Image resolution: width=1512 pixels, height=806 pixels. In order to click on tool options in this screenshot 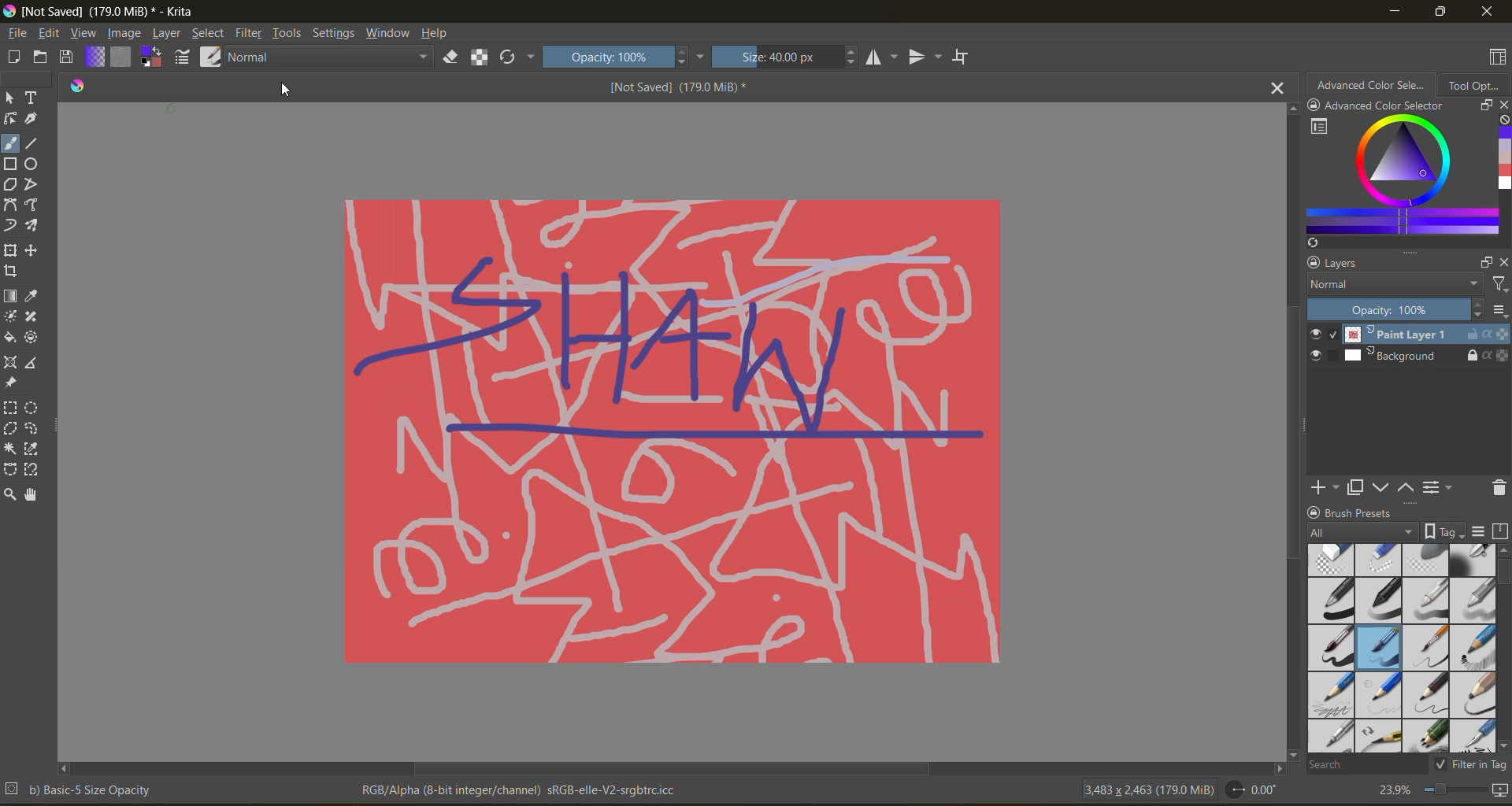, I will do `click(1473, 84)`.